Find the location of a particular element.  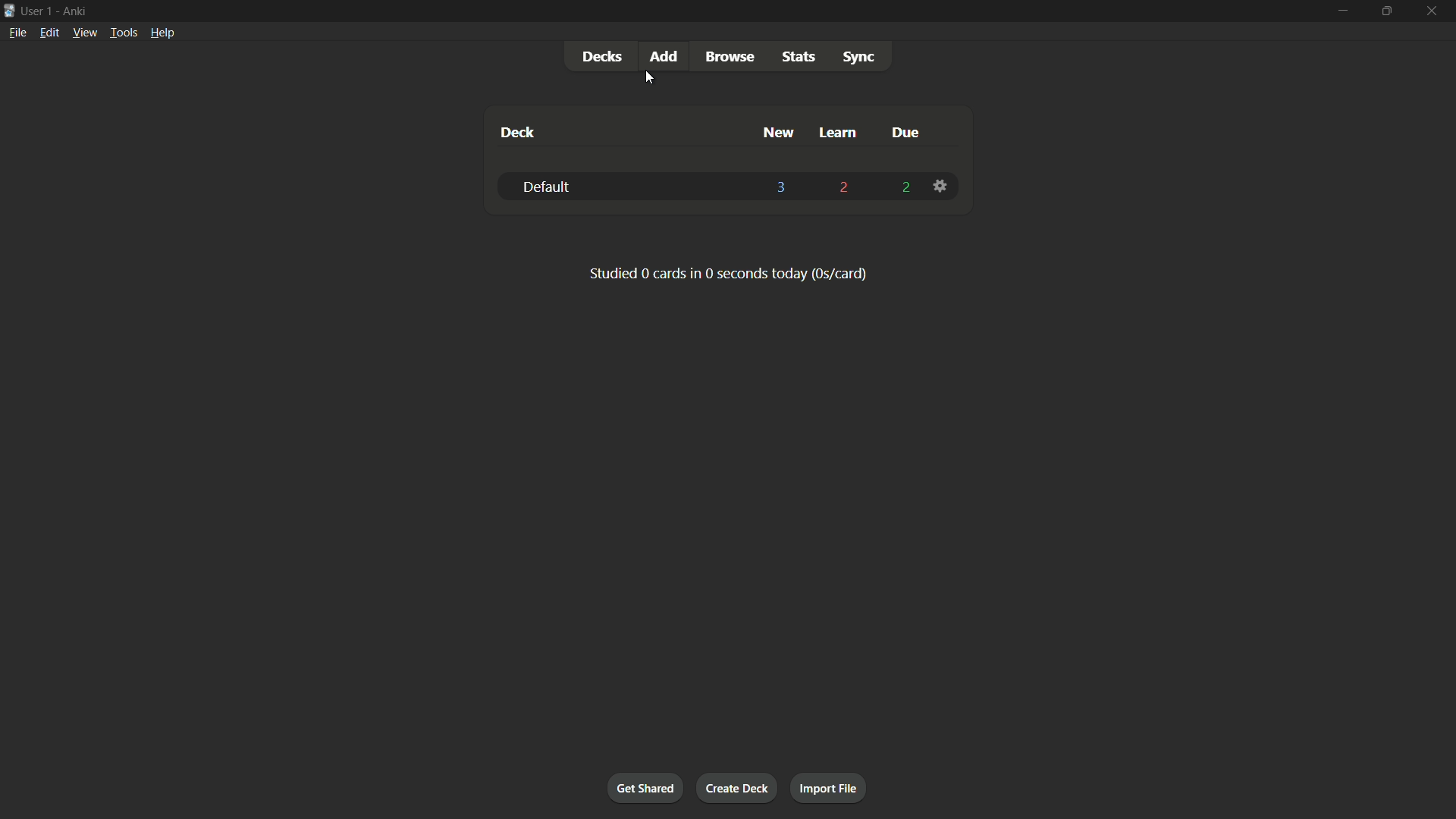

file menu is located at coordinates (19, 32).